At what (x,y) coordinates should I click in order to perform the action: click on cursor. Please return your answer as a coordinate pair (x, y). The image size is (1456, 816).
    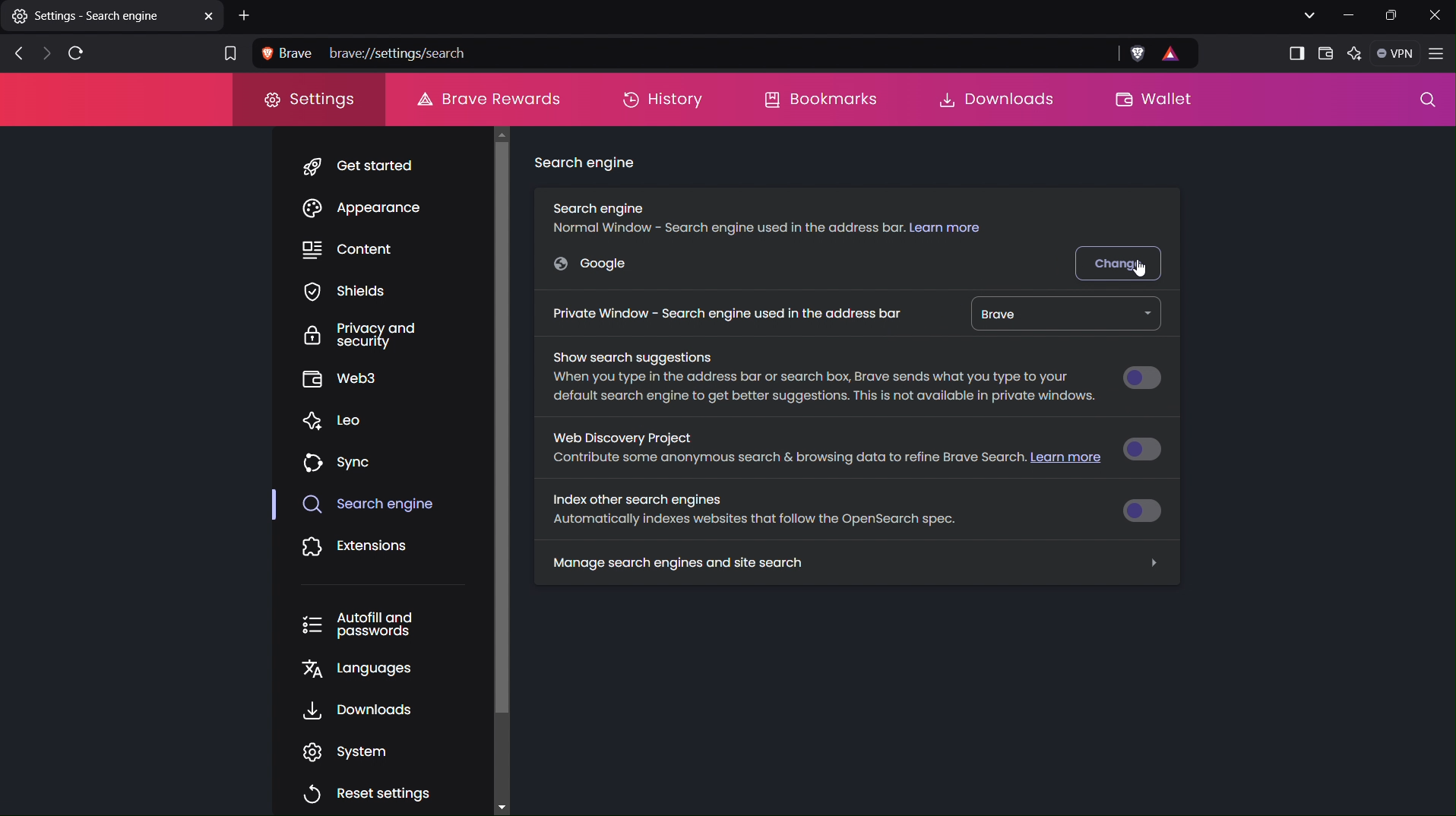
    Looking at the image, I should click on (1145, 267).